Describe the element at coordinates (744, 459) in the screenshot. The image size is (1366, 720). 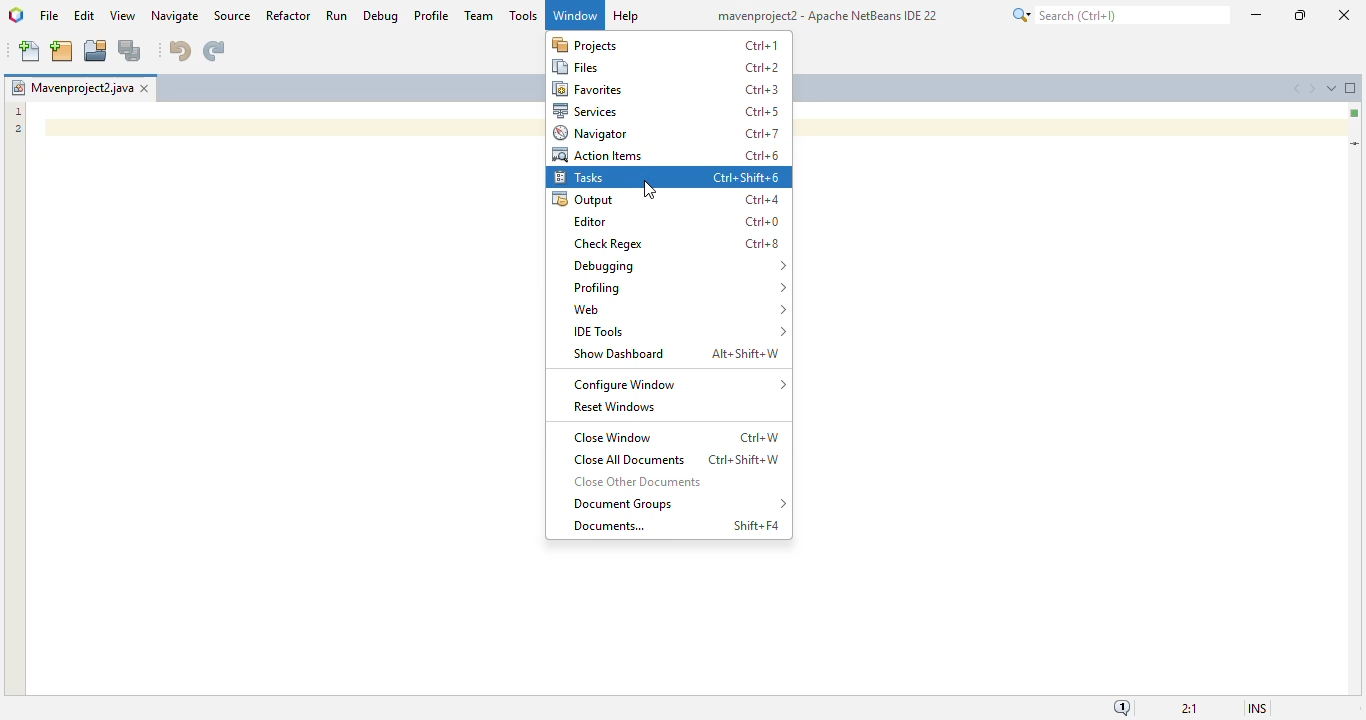
I see `shortcut for close all documents` at that location.